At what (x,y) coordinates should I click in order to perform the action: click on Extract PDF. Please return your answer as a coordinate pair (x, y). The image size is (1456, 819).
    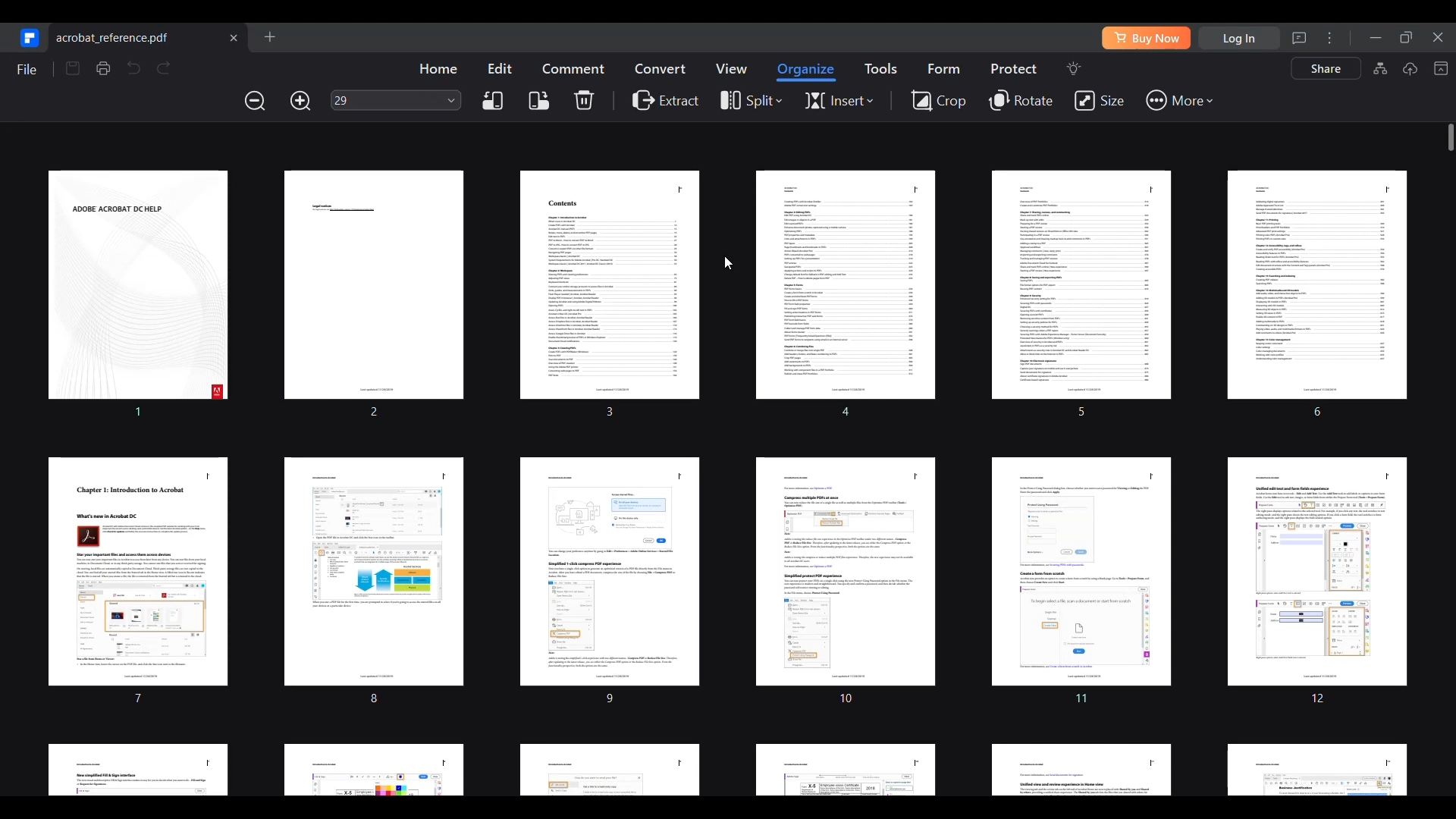
    Looking at the image, I should click on (666, 99).